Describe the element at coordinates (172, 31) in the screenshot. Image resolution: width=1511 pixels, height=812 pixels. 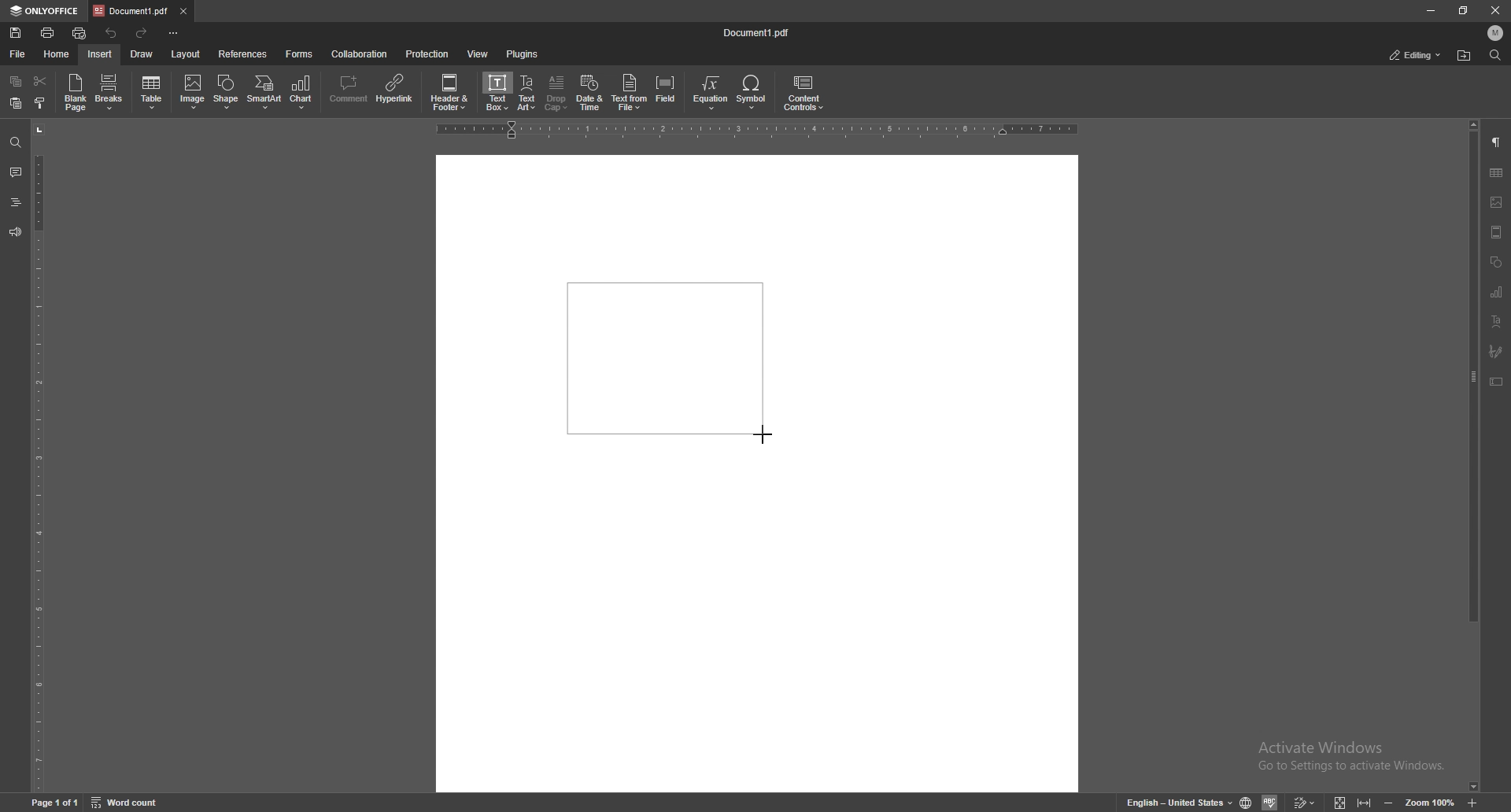
I see `customize toolbar` at that location.